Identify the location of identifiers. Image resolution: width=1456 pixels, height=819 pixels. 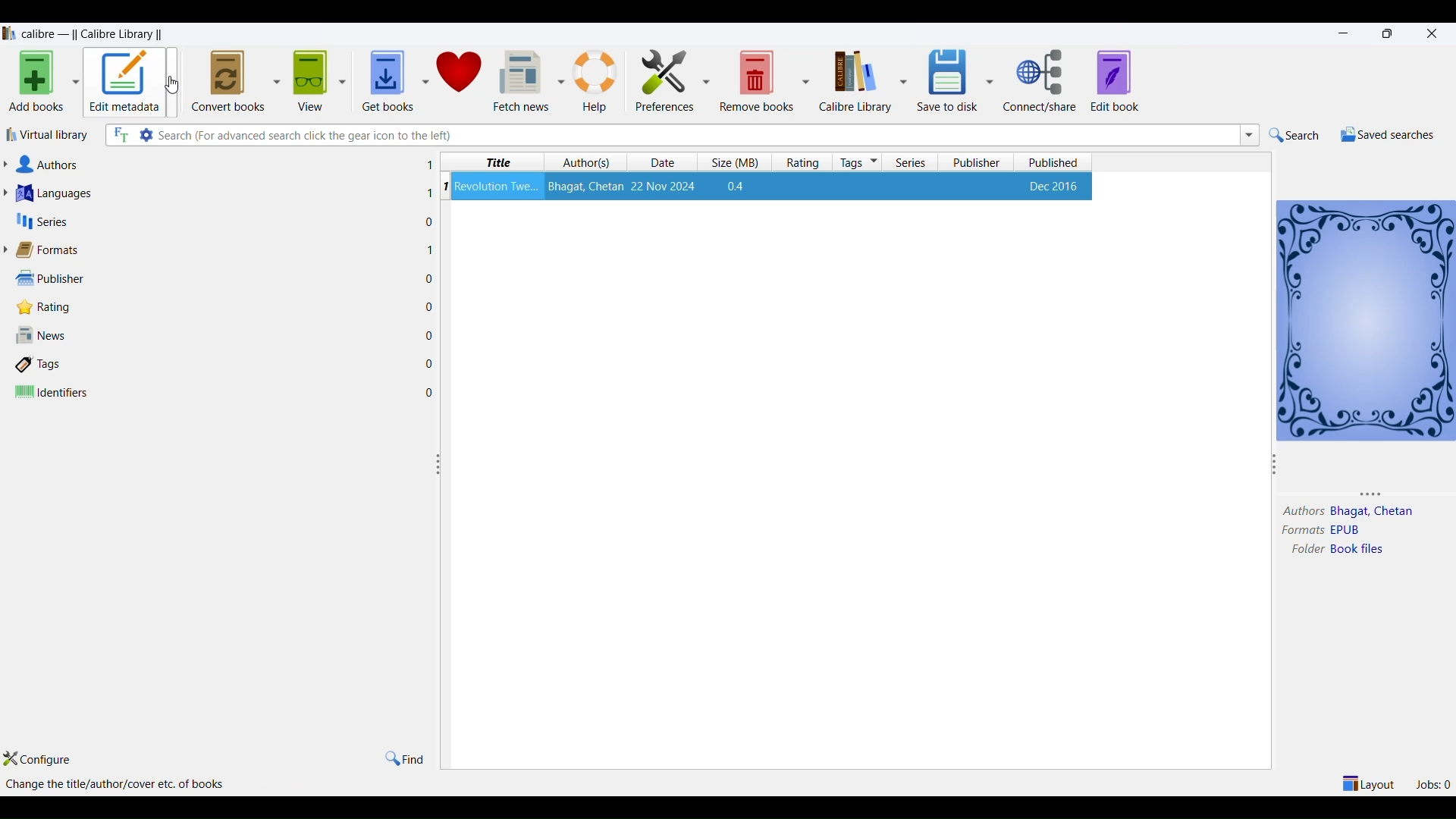
(53, 393).